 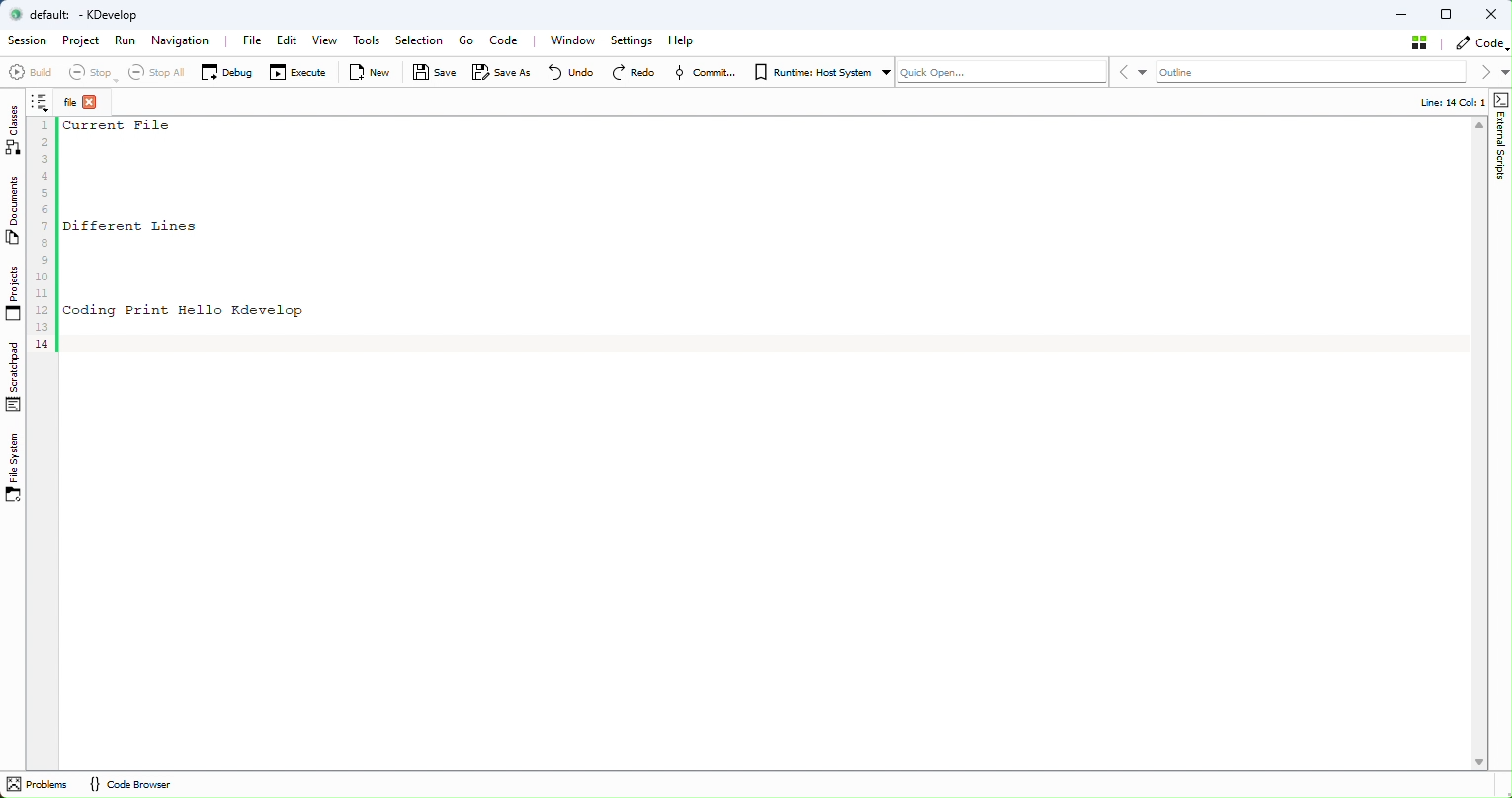 I want to click on Stash, so click(x=1421, y=42).